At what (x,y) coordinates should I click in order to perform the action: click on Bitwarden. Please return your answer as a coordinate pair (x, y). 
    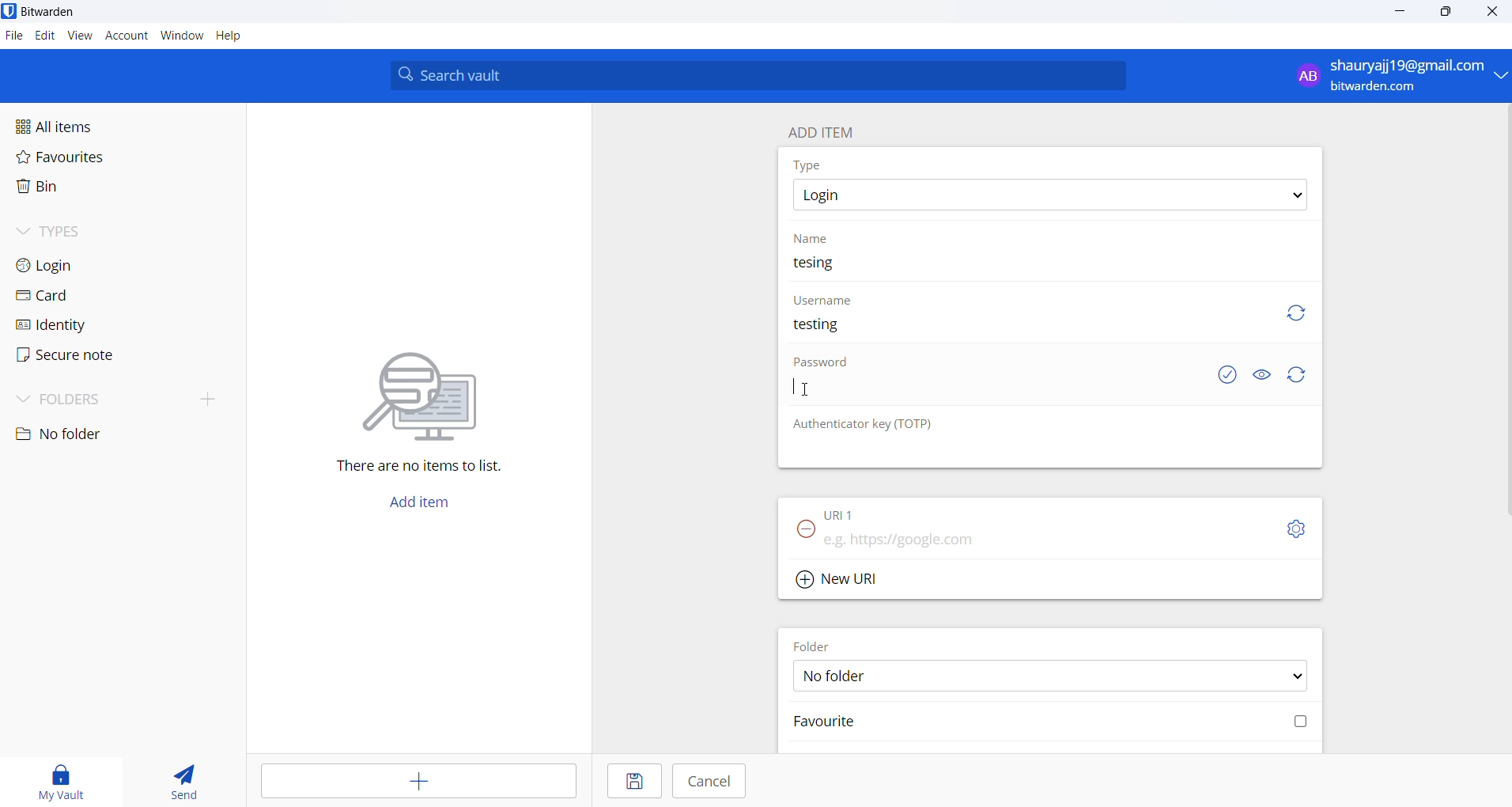
    Looking at the image, I should click on (54, 12).